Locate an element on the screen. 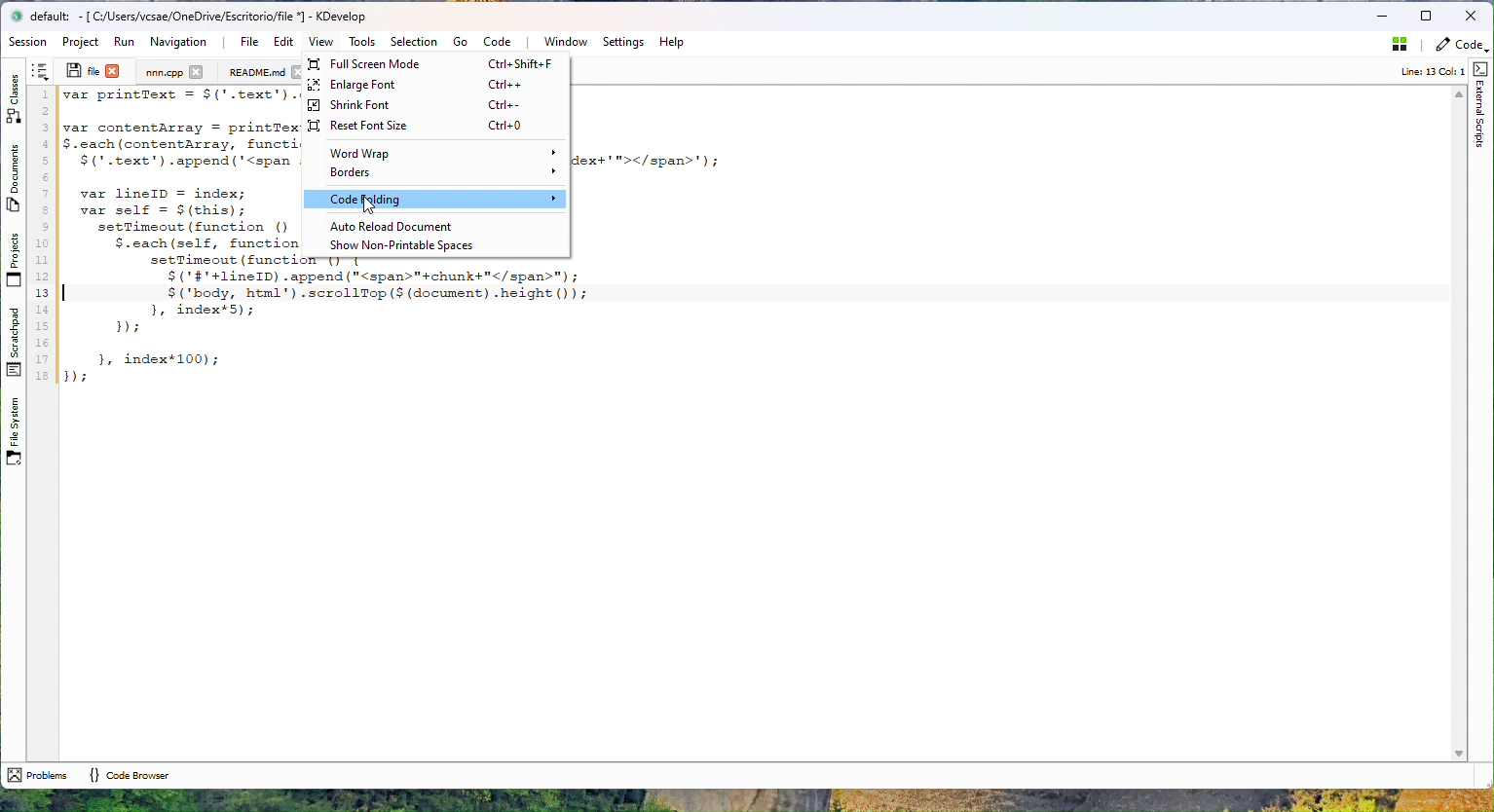 Image resolution: width=1494 pixels, height=812 pixels. Help is located at coordinates (671, 42).